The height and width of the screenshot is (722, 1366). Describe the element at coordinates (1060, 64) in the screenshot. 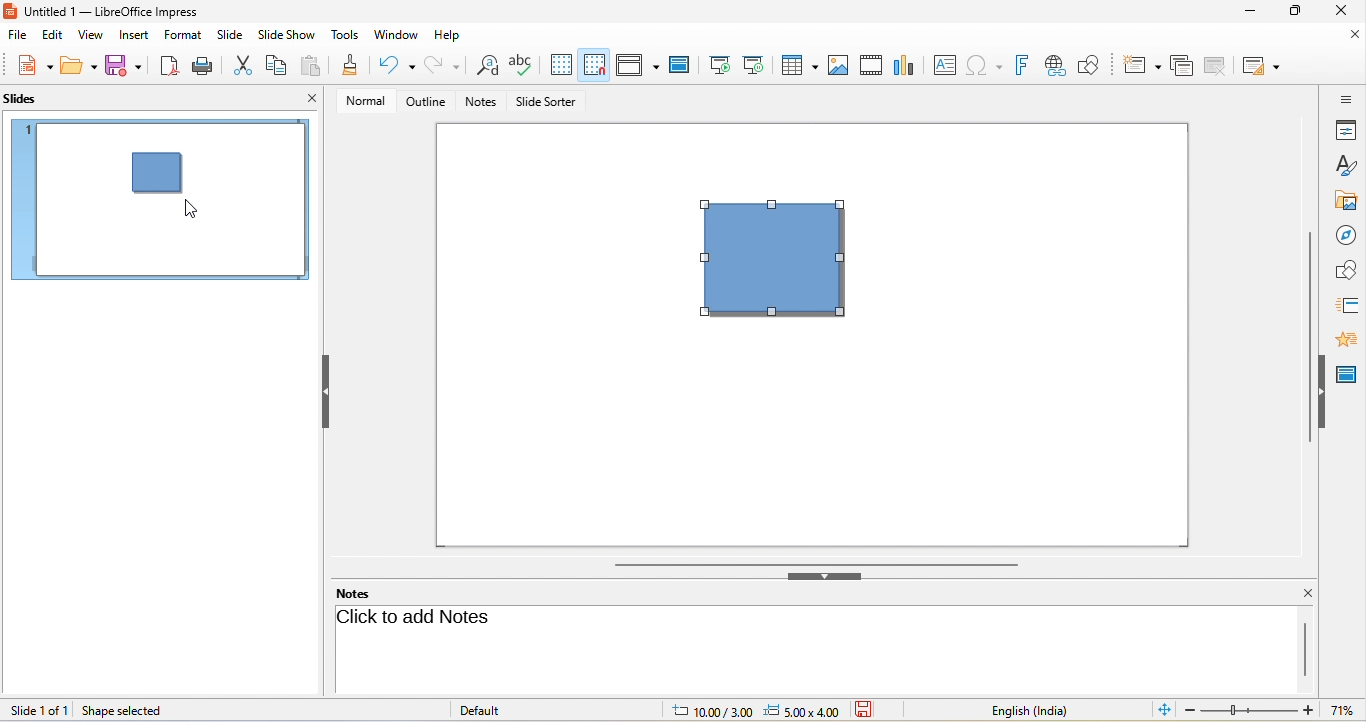

I see `hyperlink` at that location.